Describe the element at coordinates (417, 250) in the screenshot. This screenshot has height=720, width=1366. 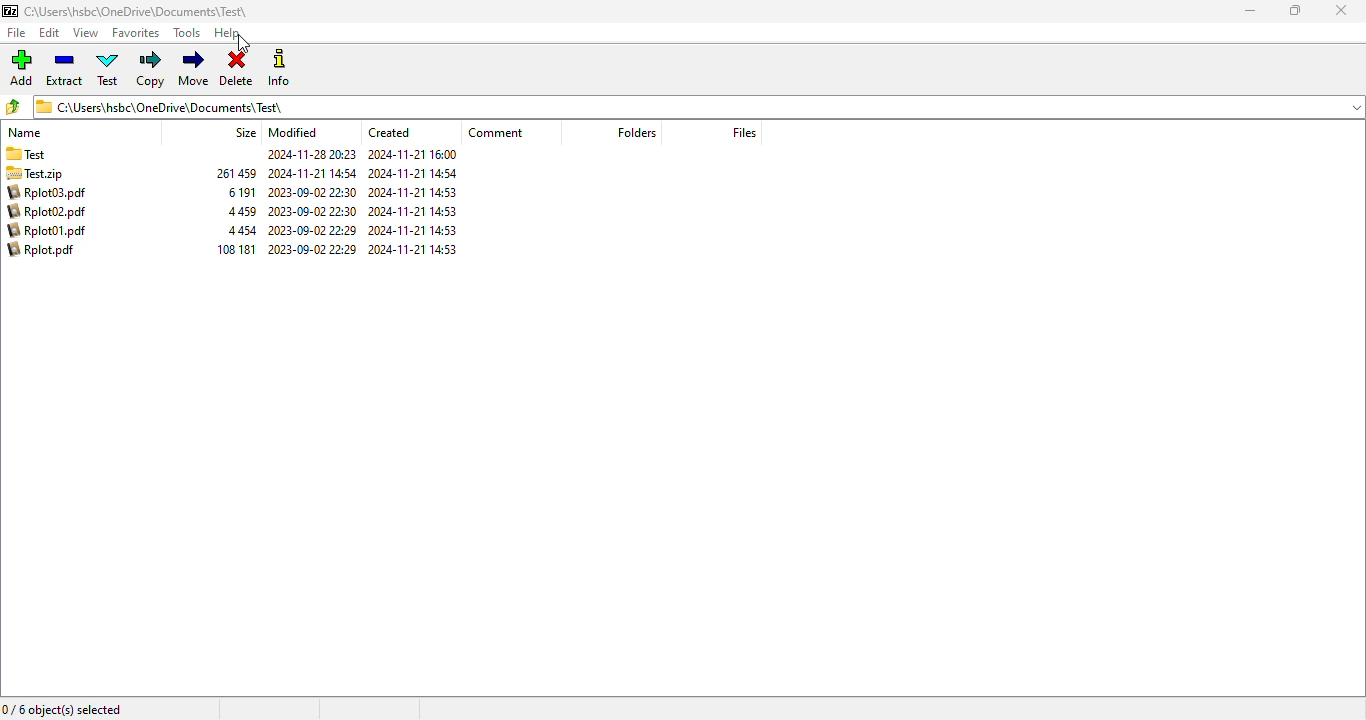
I see `2024-11-21 14:53` at that location.